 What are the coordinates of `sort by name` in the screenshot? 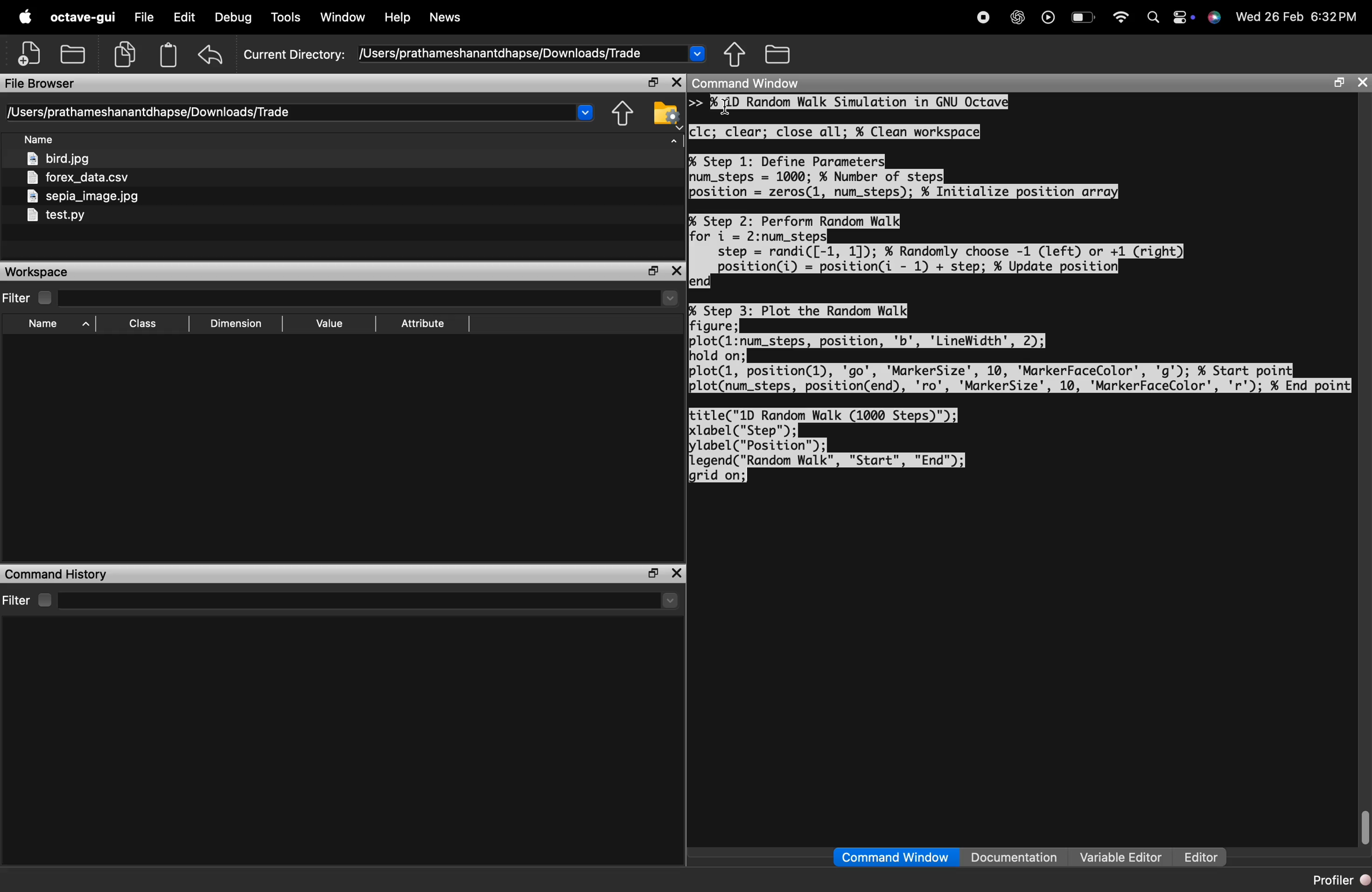 It's located at (56, 324).